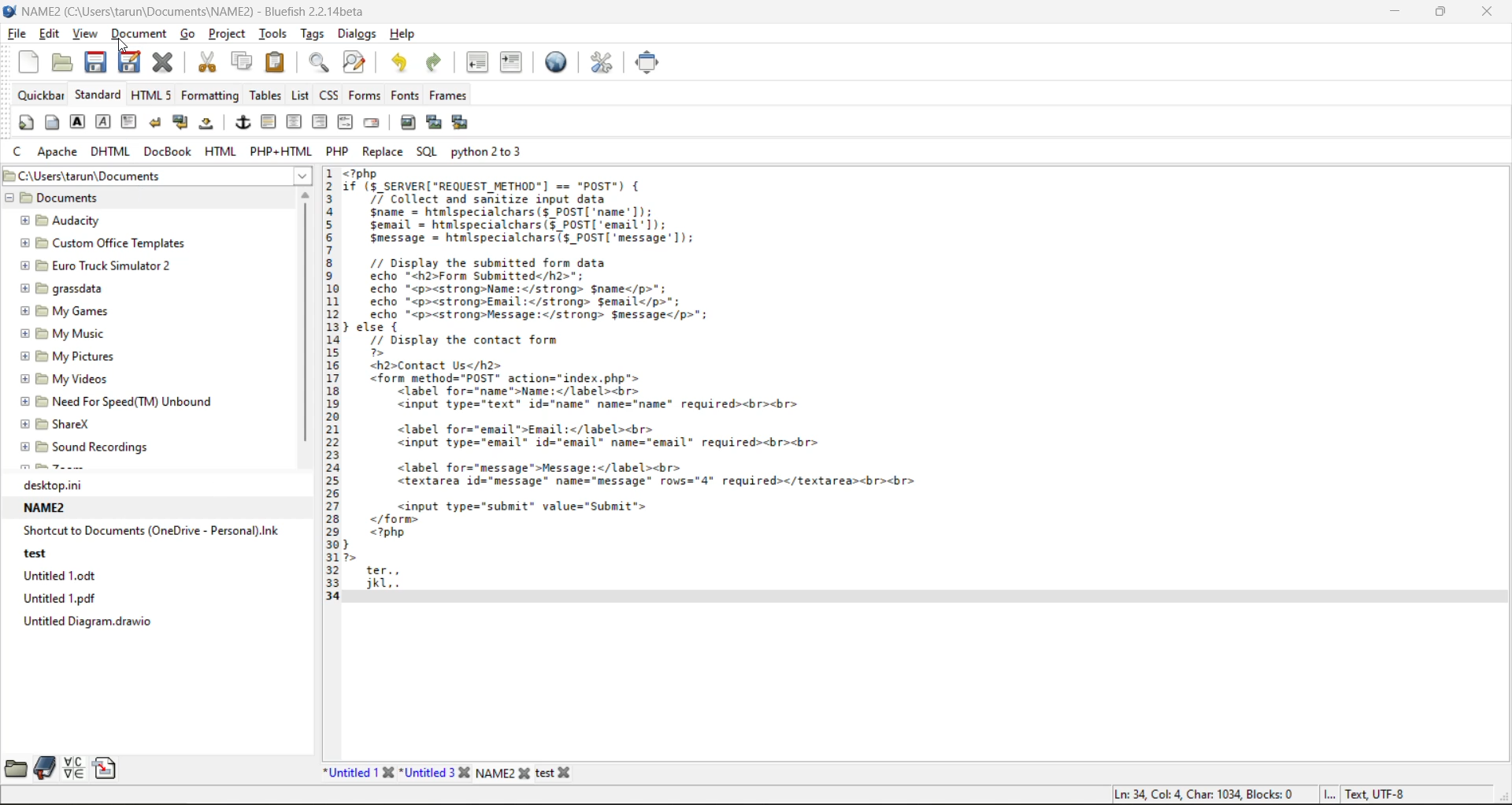  What do you see at coordinates (154, 97) in the screenshot?
I see `html 5` at bounding box center [154, 97].